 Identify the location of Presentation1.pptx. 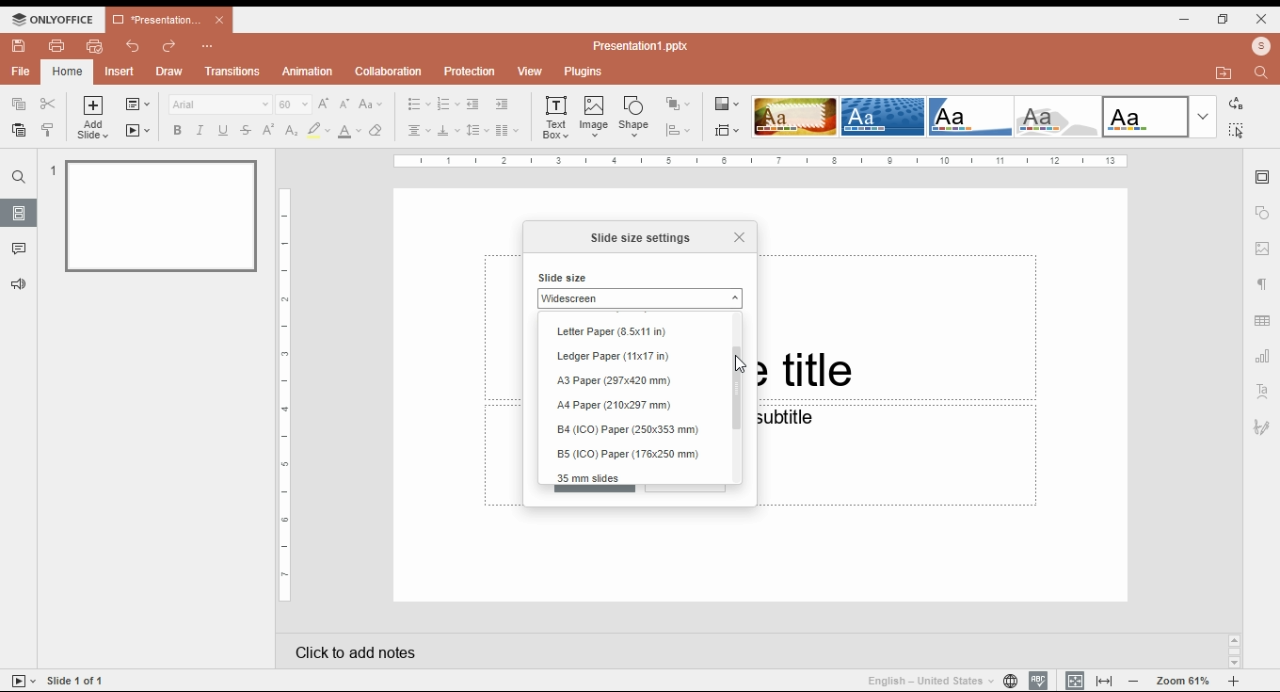
(644, 45).